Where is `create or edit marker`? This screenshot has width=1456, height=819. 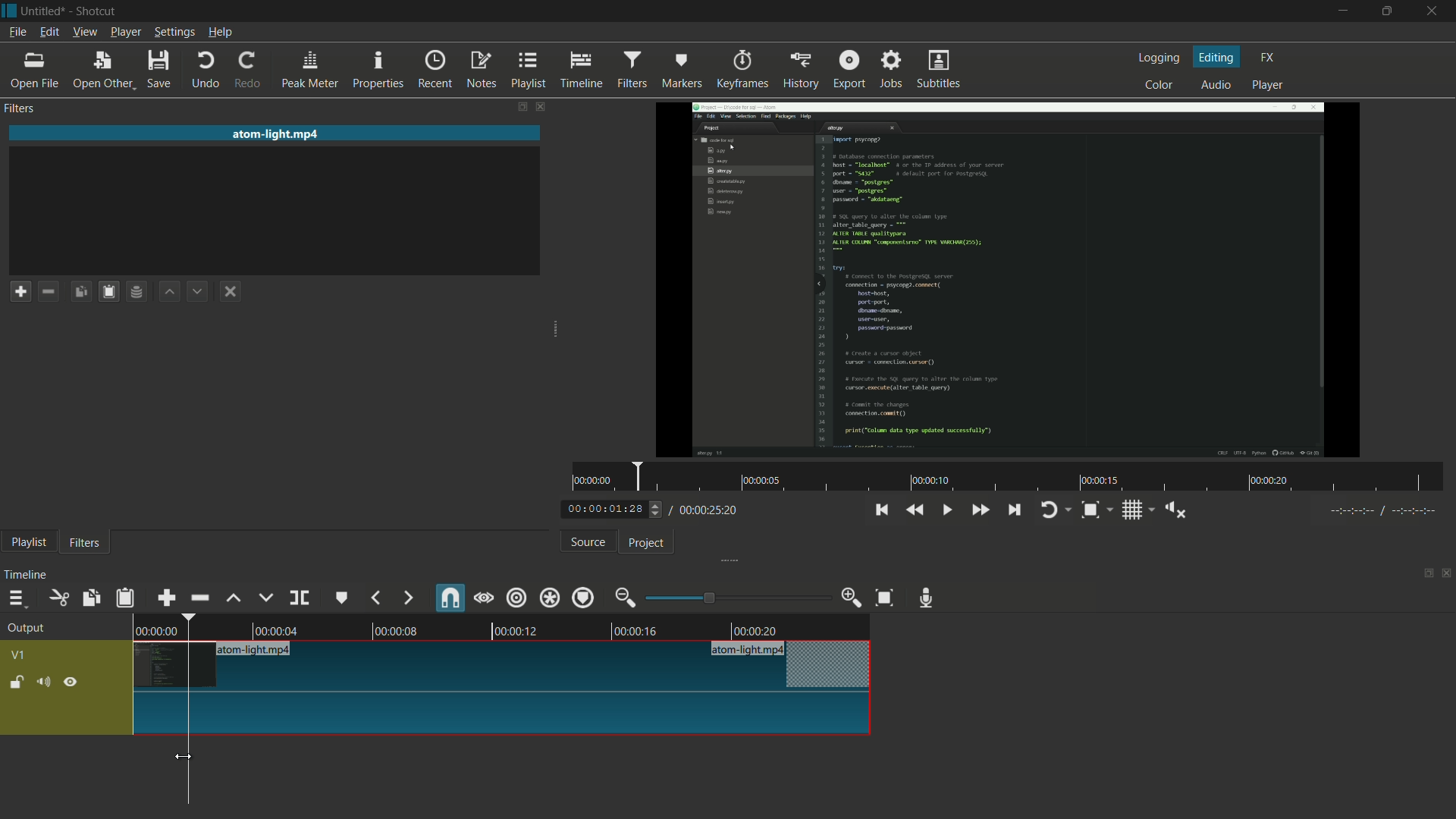 create or edit marker is located at coordinates (342, 599).